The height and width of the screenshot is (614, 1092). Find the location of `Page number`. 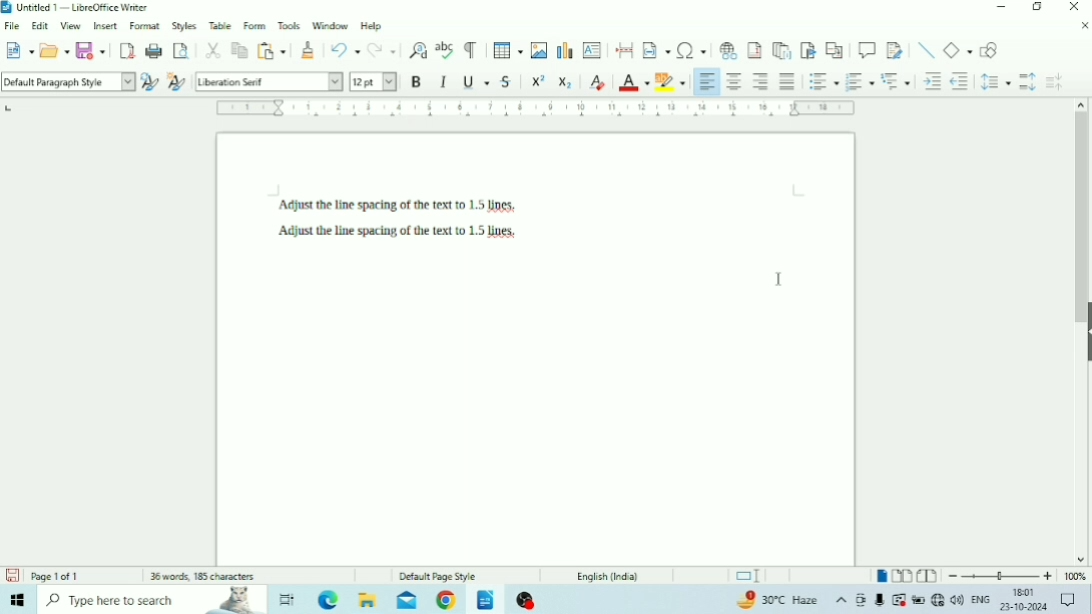

Page number is located at coordinates (56, 576).